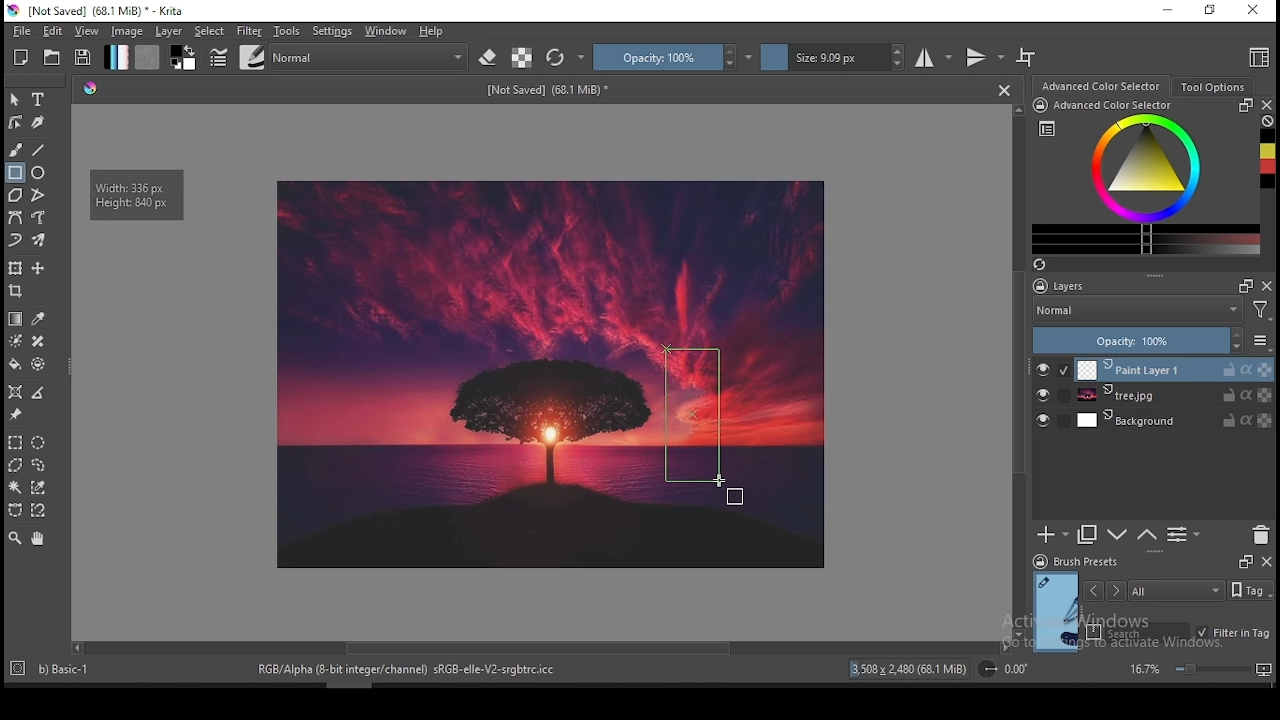 The height and width of the screenshot is (720, 1280). What do you see at coordinates (1169, 12) in the screenshot?
I see `minimize` at bounding box center [1169, 12].